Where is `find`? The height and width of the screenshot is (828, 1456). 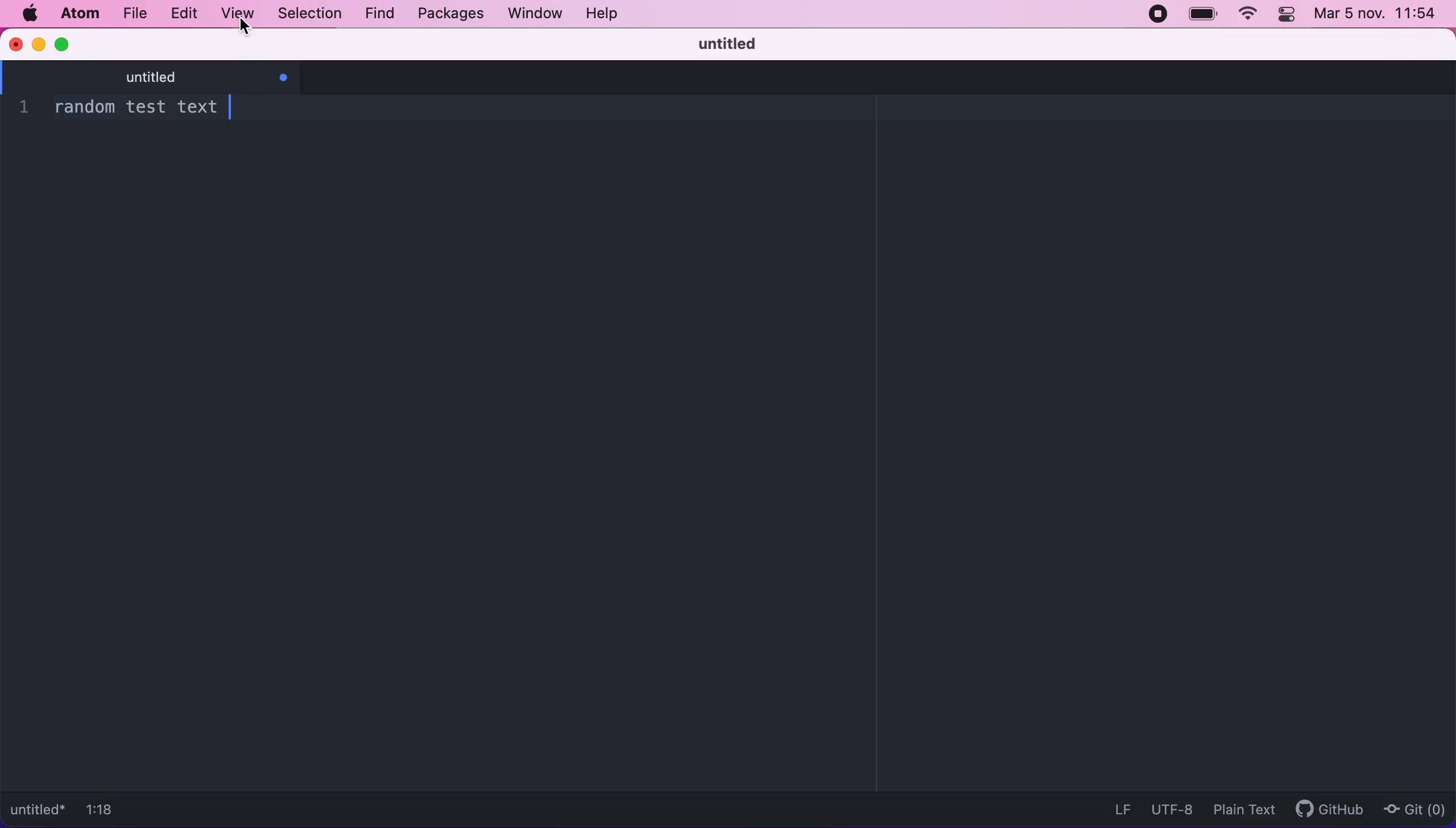
find is located at coordinates (376, 14).